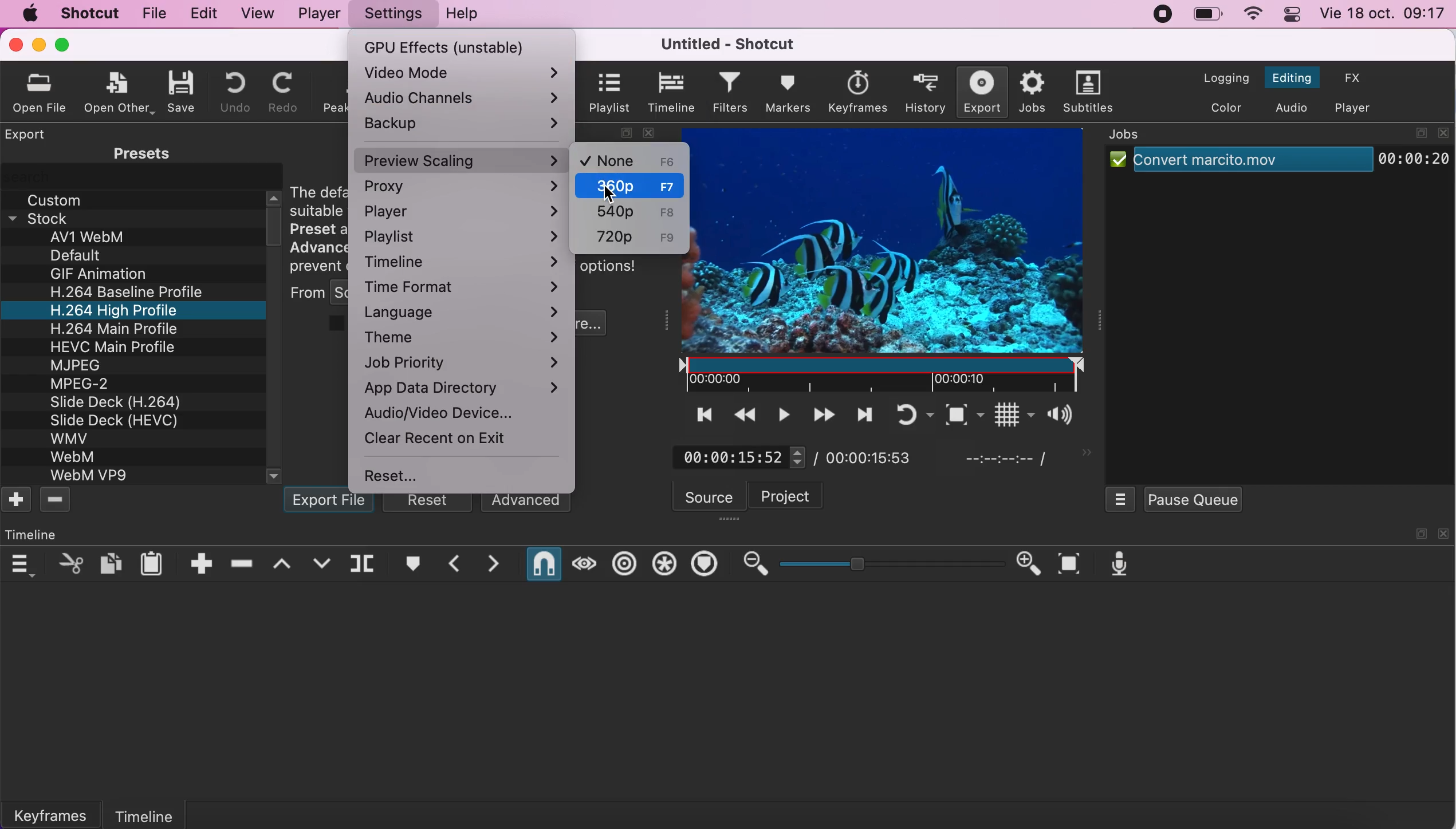 The image size is (1456, 829). Describe the element at coordinates (1355, 77) in the screenshot. I see `switch to effects layout` at that location.